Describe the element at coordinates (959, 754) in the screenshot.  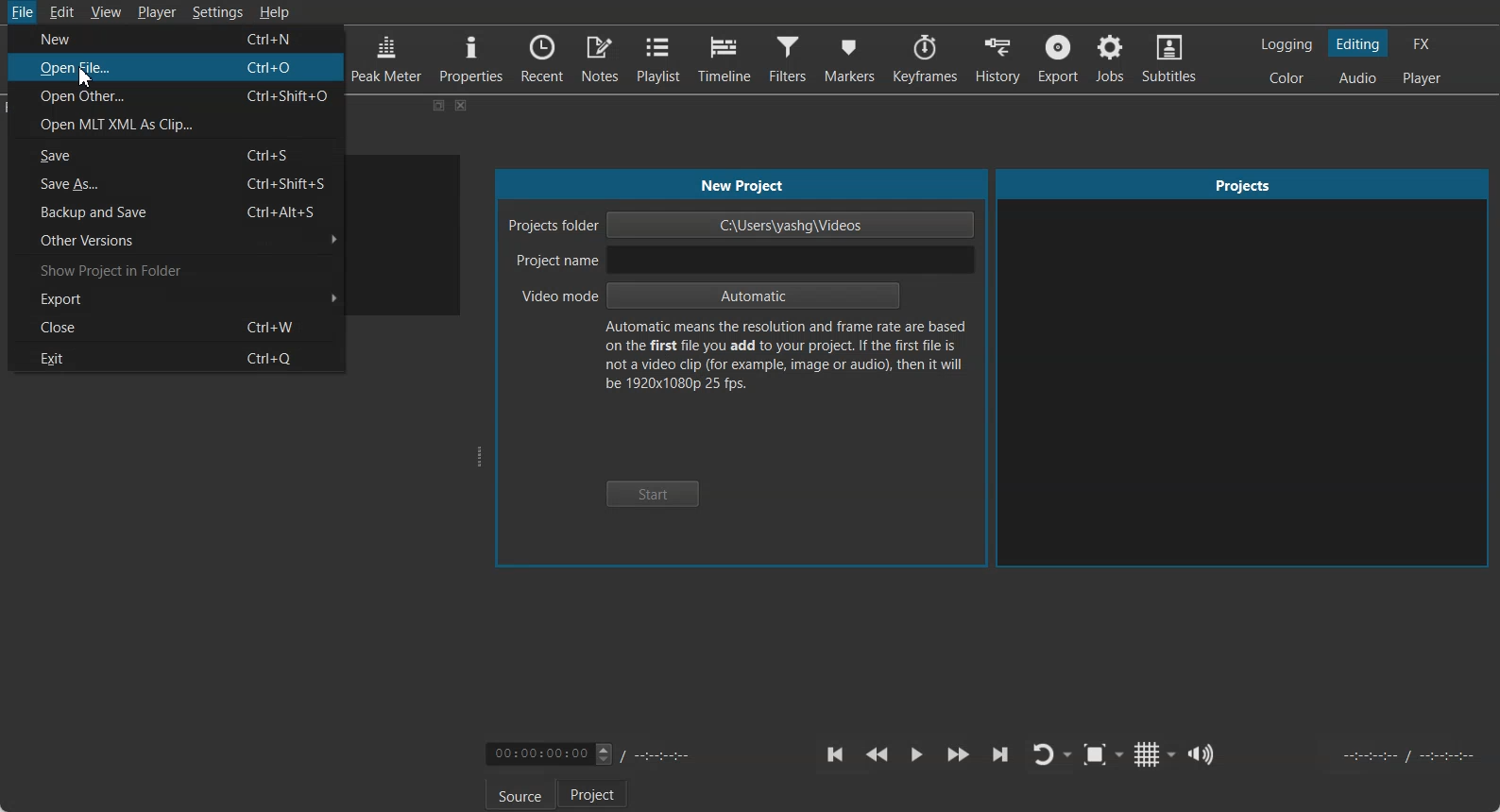
I see `Play Quickly Forward` at that location.